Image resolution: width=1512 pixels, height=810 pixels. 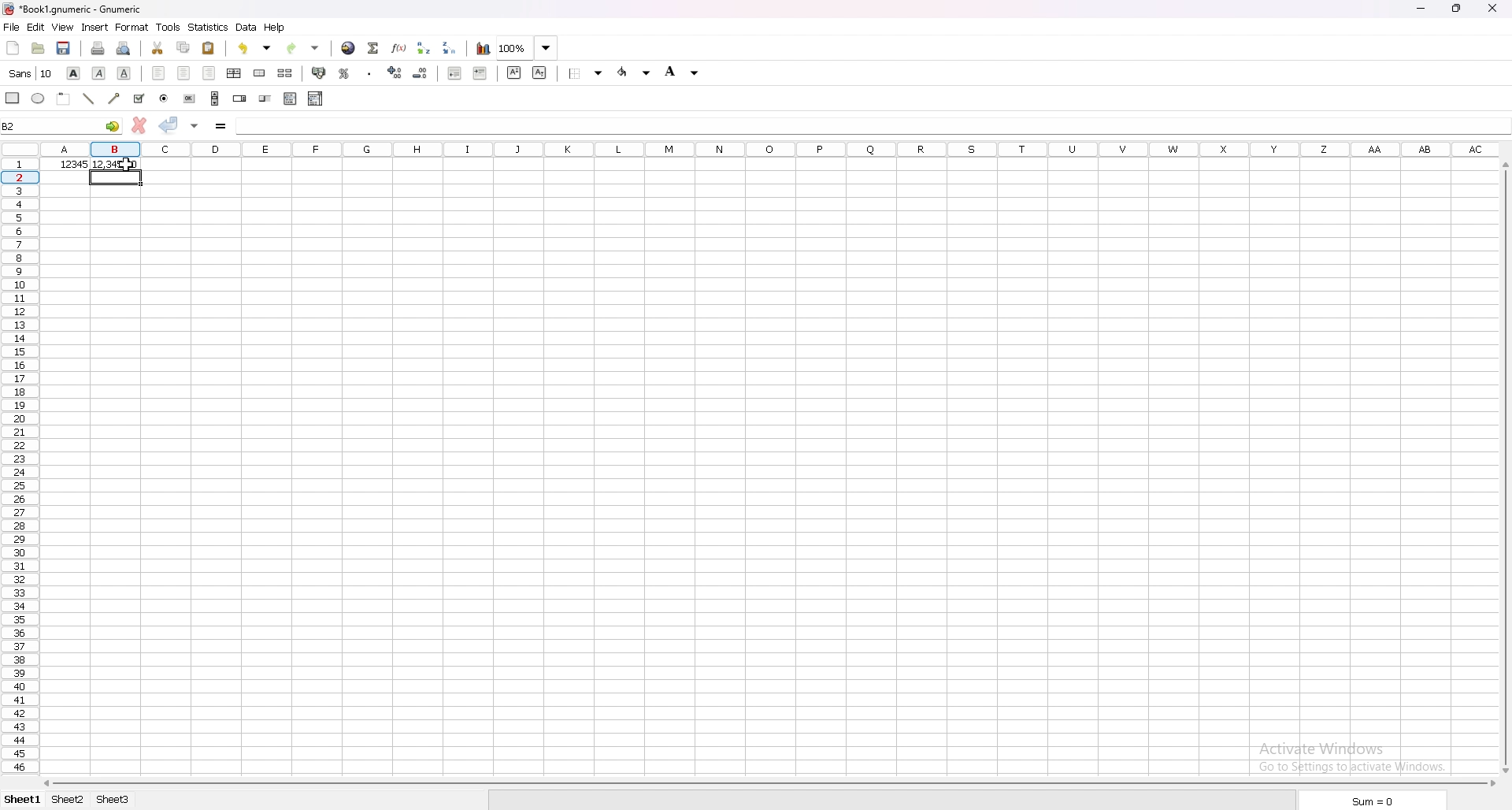 What do you see at coordinates (159, 48) in the screenshot?
I see `cut` at bounding box center [159, 48].